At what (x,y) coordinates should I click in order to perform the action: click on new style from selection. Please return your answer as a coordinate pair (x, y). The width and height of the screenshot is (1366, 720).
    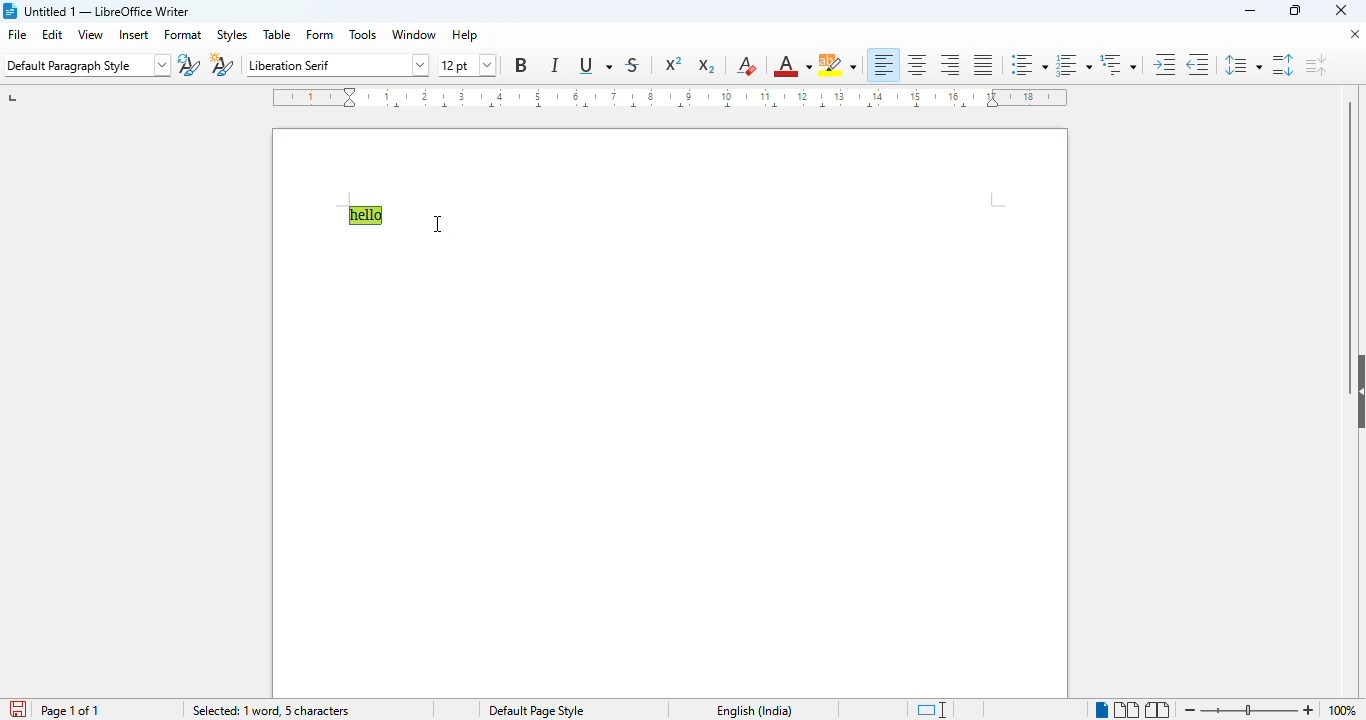
    Looking at the image, I should click on (221, 65).